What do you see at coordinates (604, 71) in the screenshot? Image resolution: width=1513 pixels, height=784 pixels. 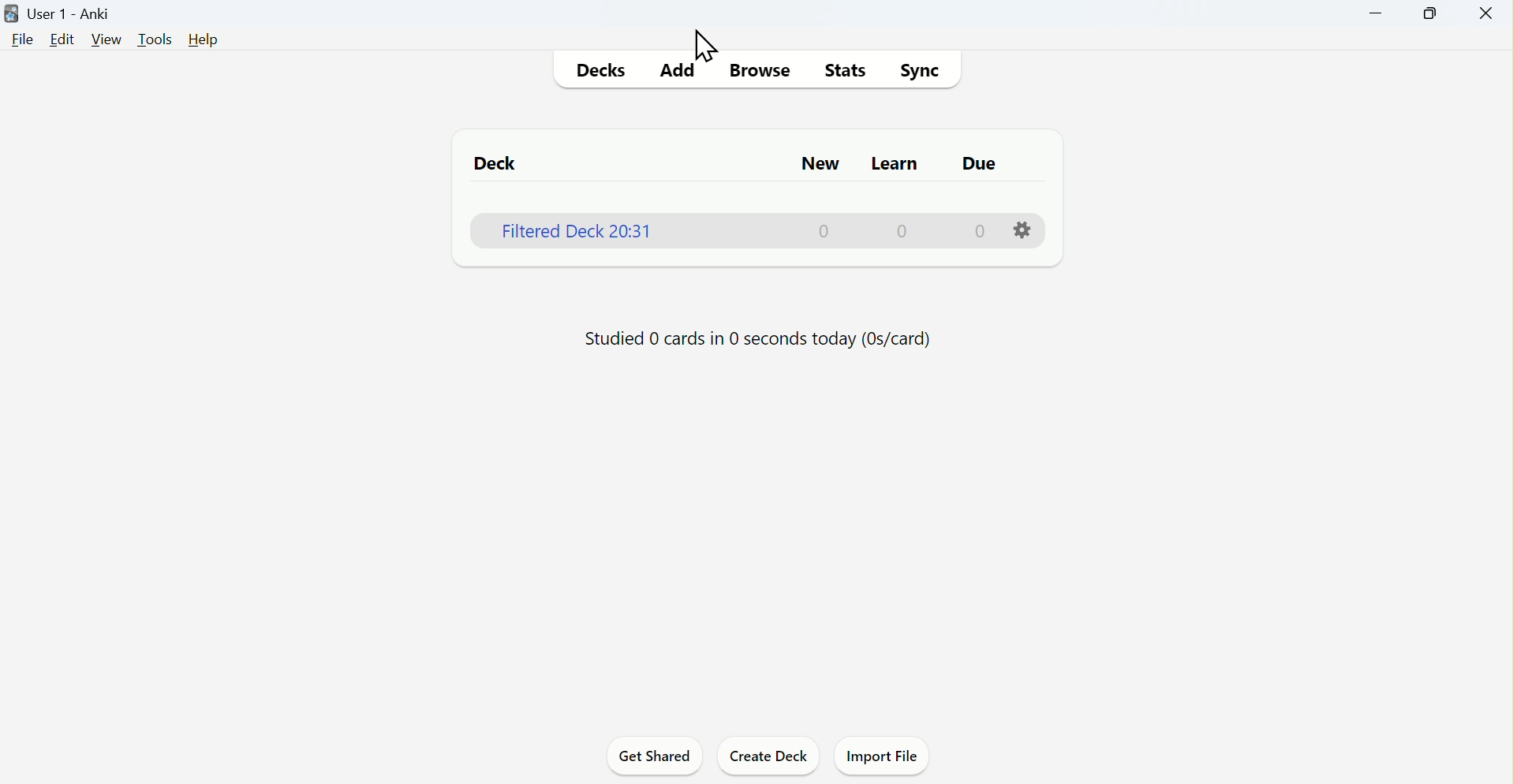 I see `Decks` at bounding box center [604, 71].